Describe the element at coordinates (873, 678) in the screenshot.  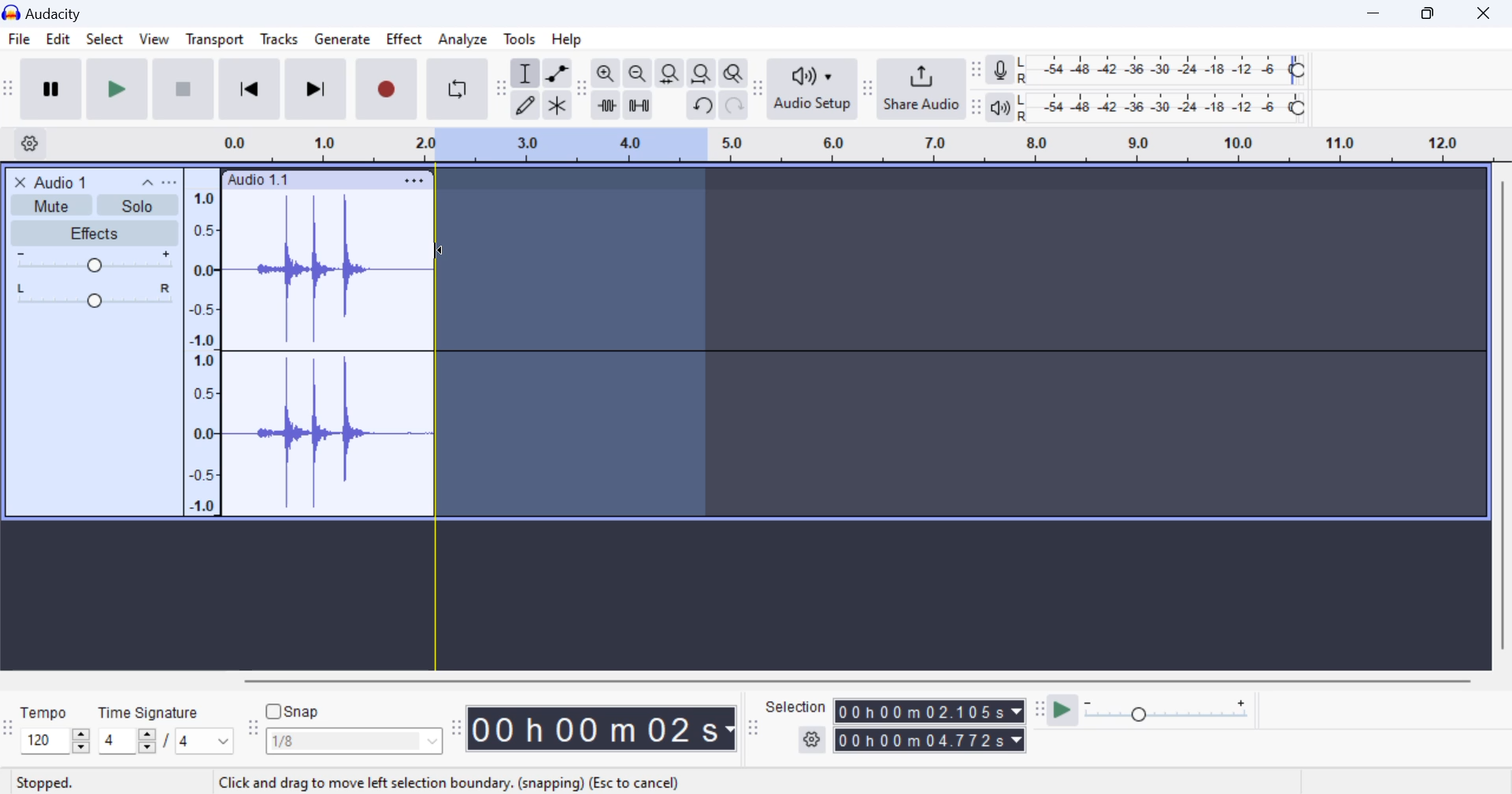
I see `horizontal scrollbar` at that location.